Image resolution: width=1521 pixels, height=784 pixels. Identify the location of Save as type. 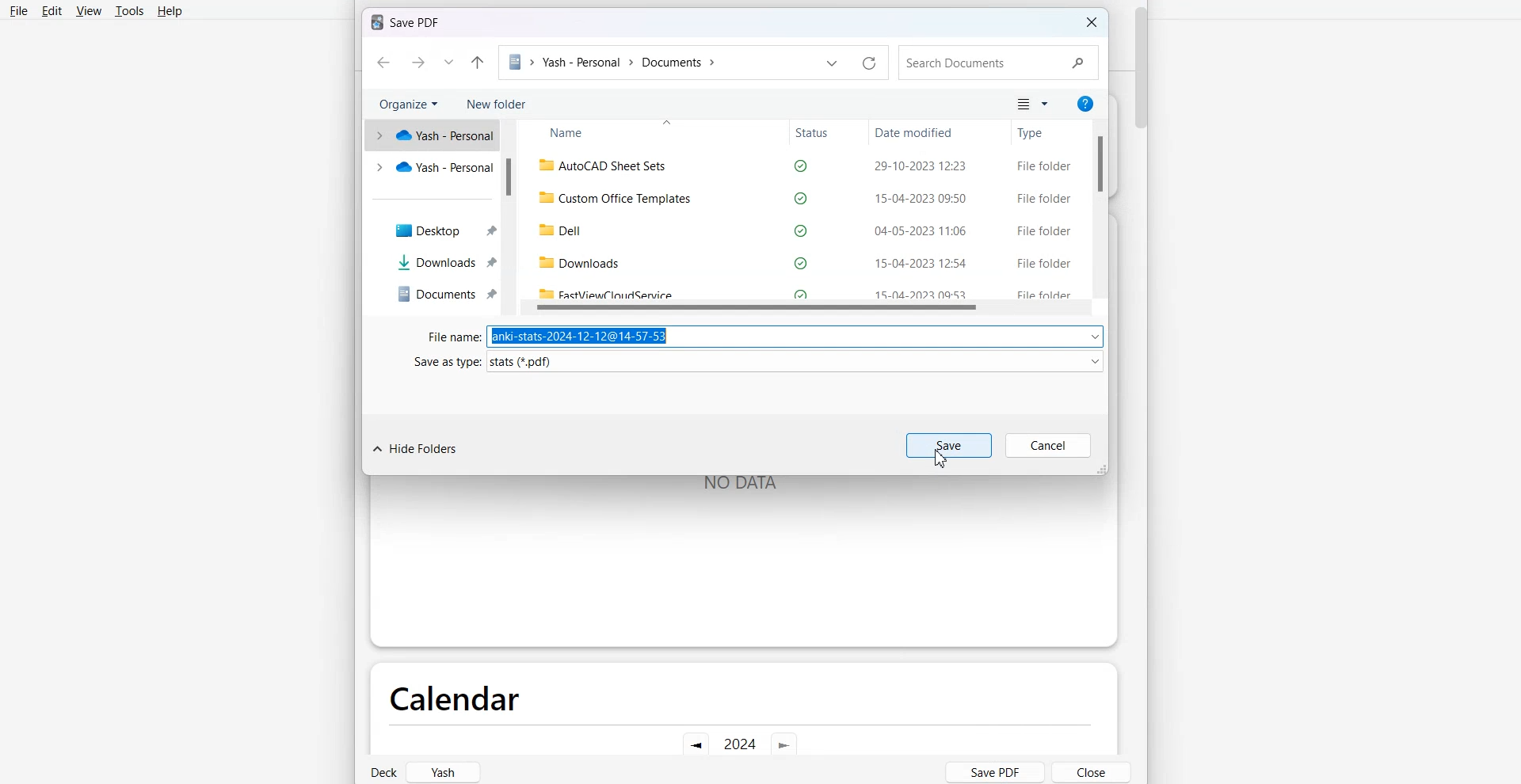
(758, 362).